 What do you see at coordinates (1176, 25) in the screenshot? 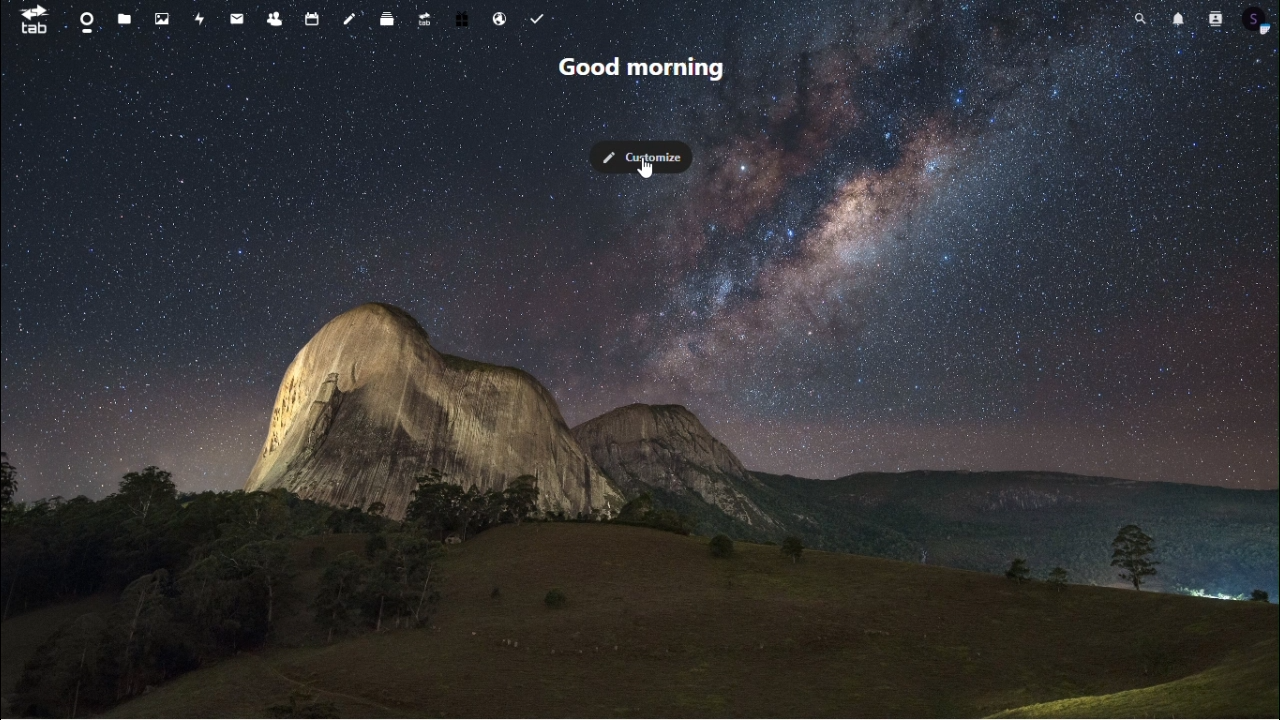
I see `notification` at bounding box center [1176, 25].